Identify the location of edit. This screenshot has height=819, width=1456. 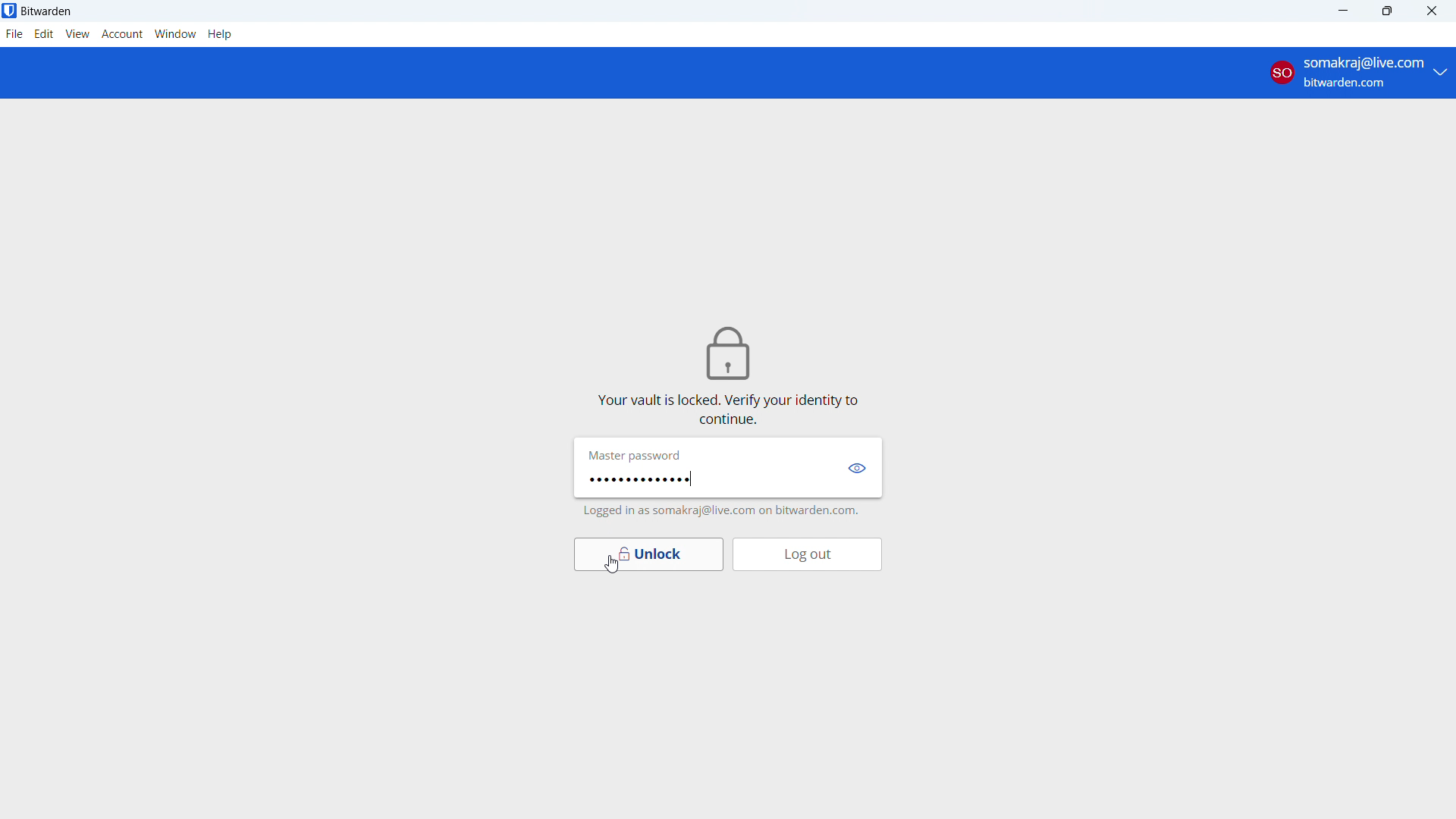
(44, 34).